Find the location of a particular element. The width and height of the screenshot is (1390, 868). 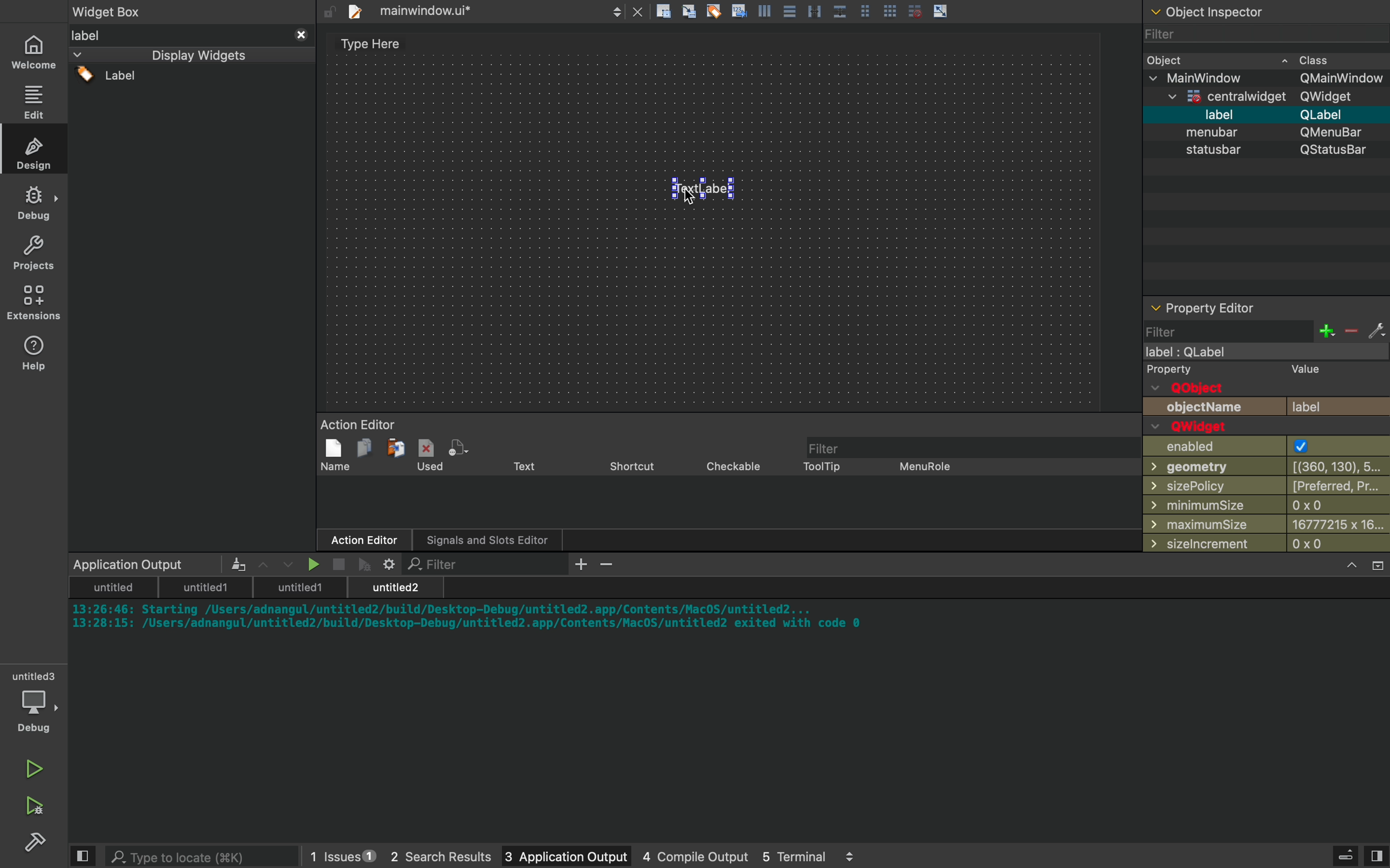

cursor is located at coordinates (689, 195).